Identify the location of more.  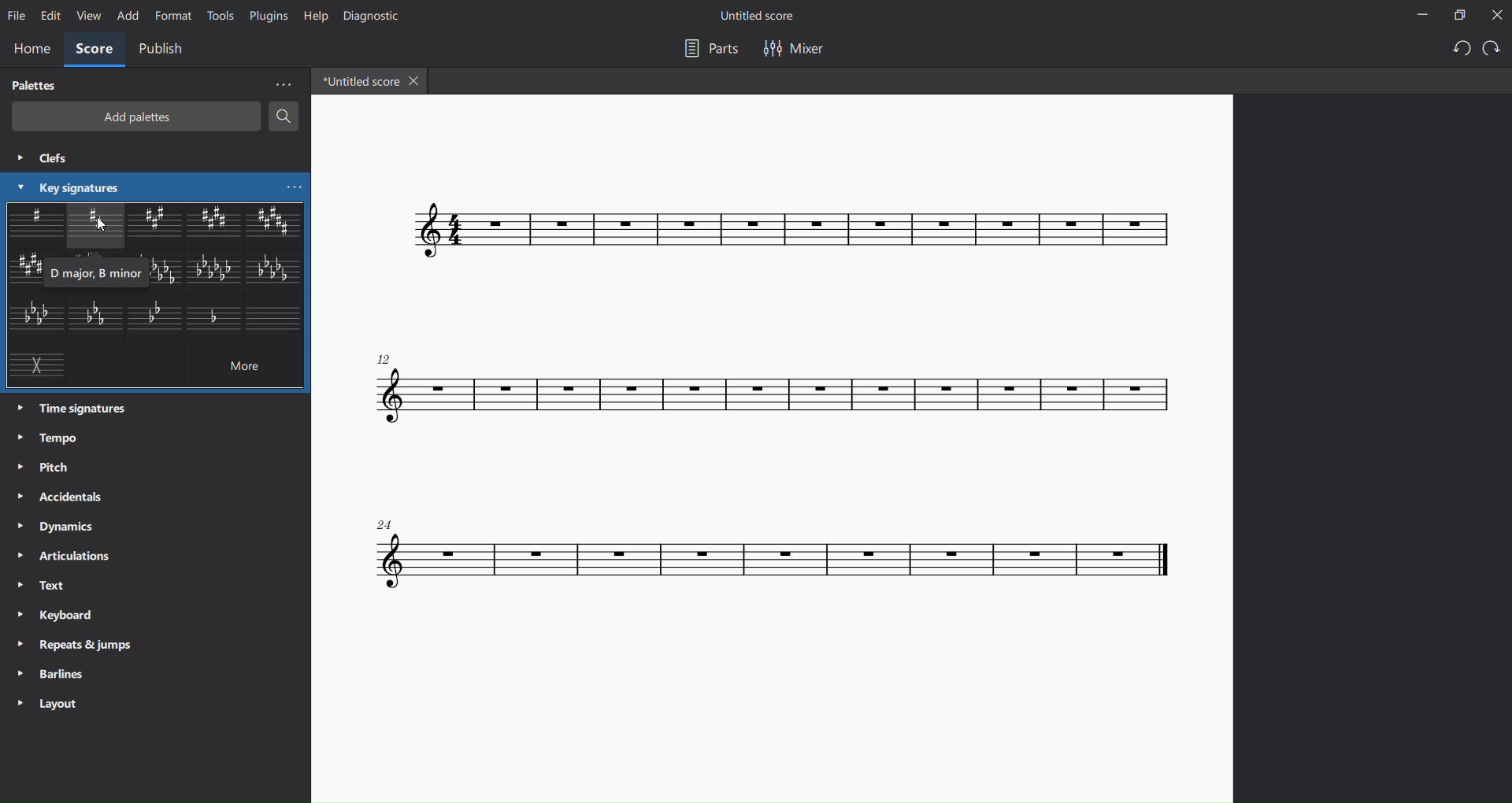
(242, 368).